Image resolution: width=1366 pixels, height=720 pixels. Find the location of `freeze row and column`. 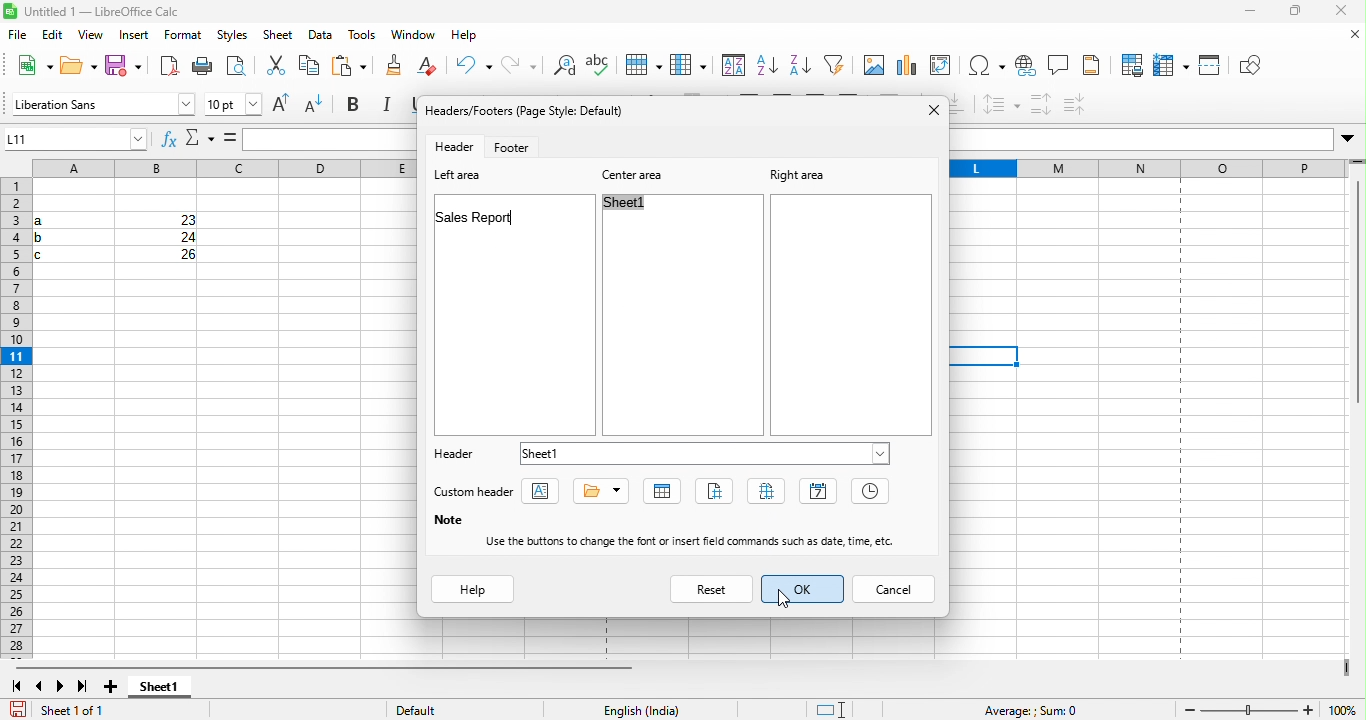

freeze row and column is located at coordinates (1165, 65).